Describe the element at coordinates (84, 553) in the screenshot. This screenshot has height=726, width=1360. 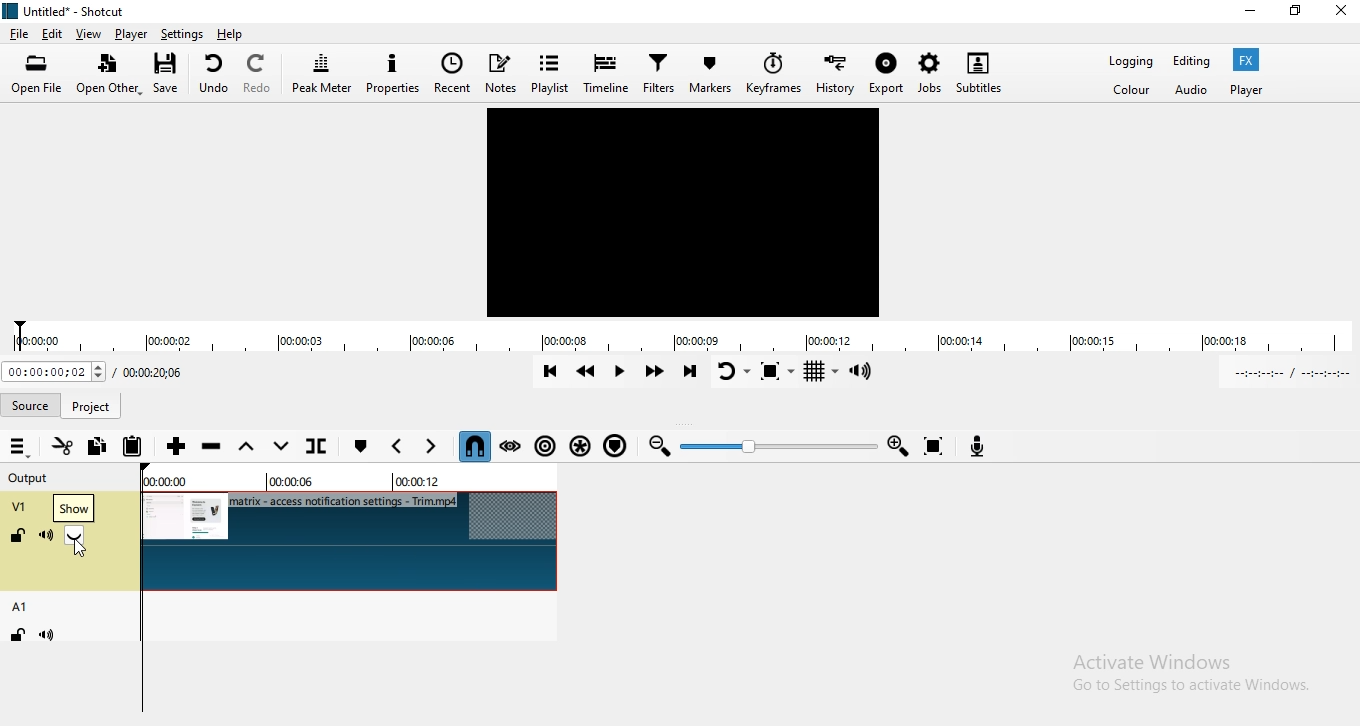
I see `cursor` at that location.